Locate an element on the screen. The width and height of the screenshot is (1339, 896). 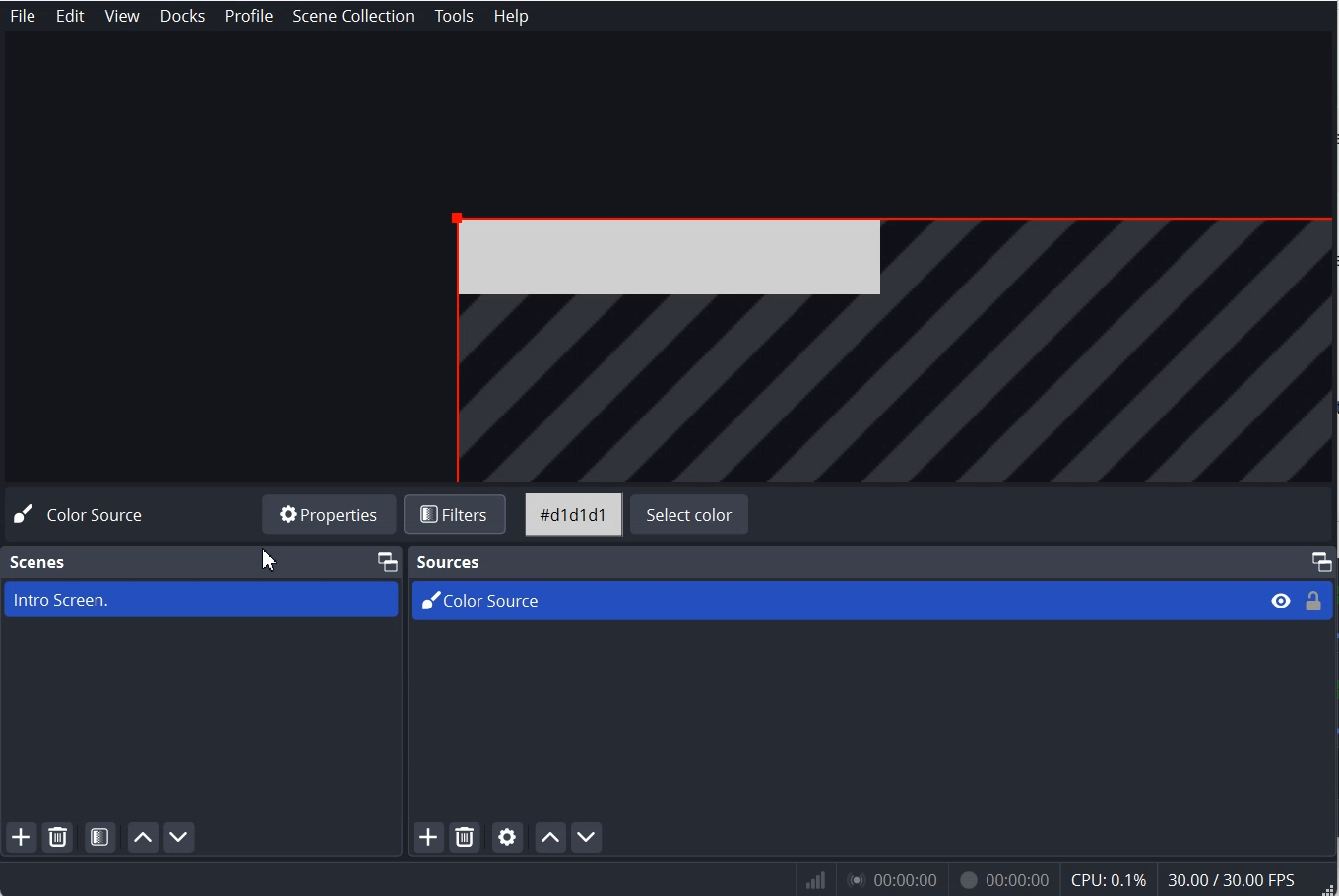
Select color is located at coordinates (690, 516).